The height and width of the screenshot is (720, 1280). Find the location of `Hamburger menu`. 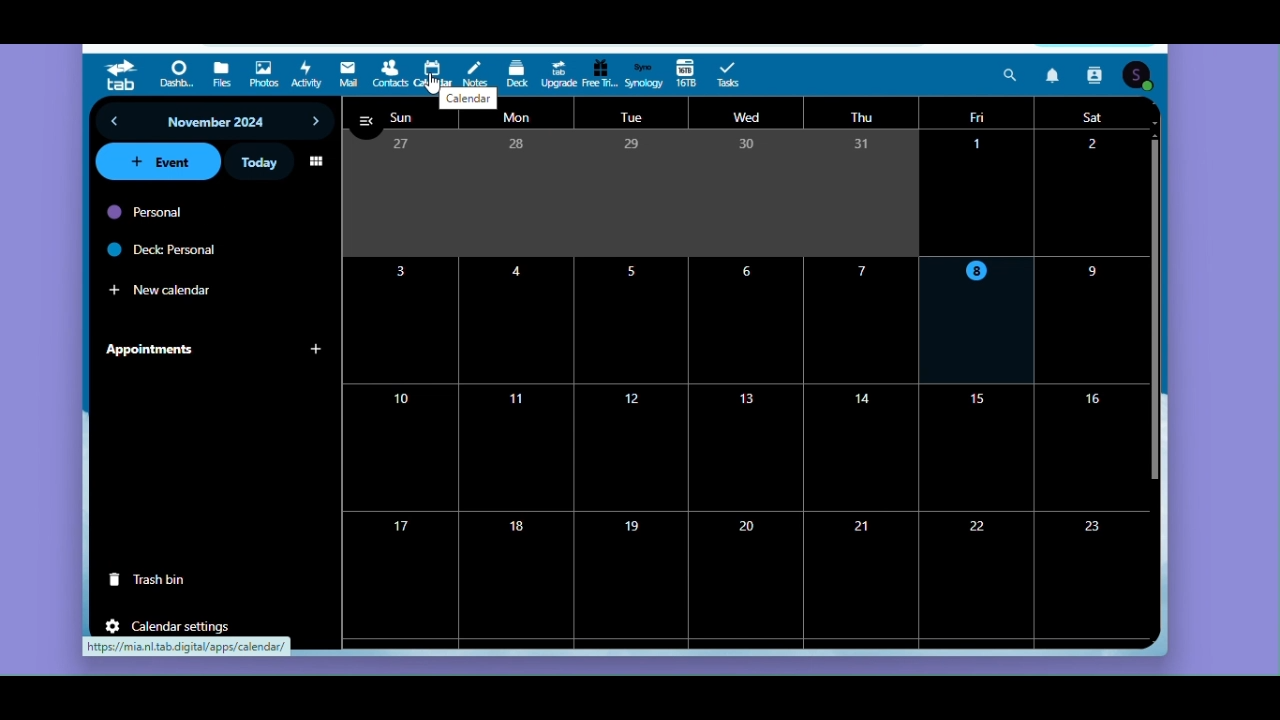

Hamburger menu is located at coordinates (369, 123).